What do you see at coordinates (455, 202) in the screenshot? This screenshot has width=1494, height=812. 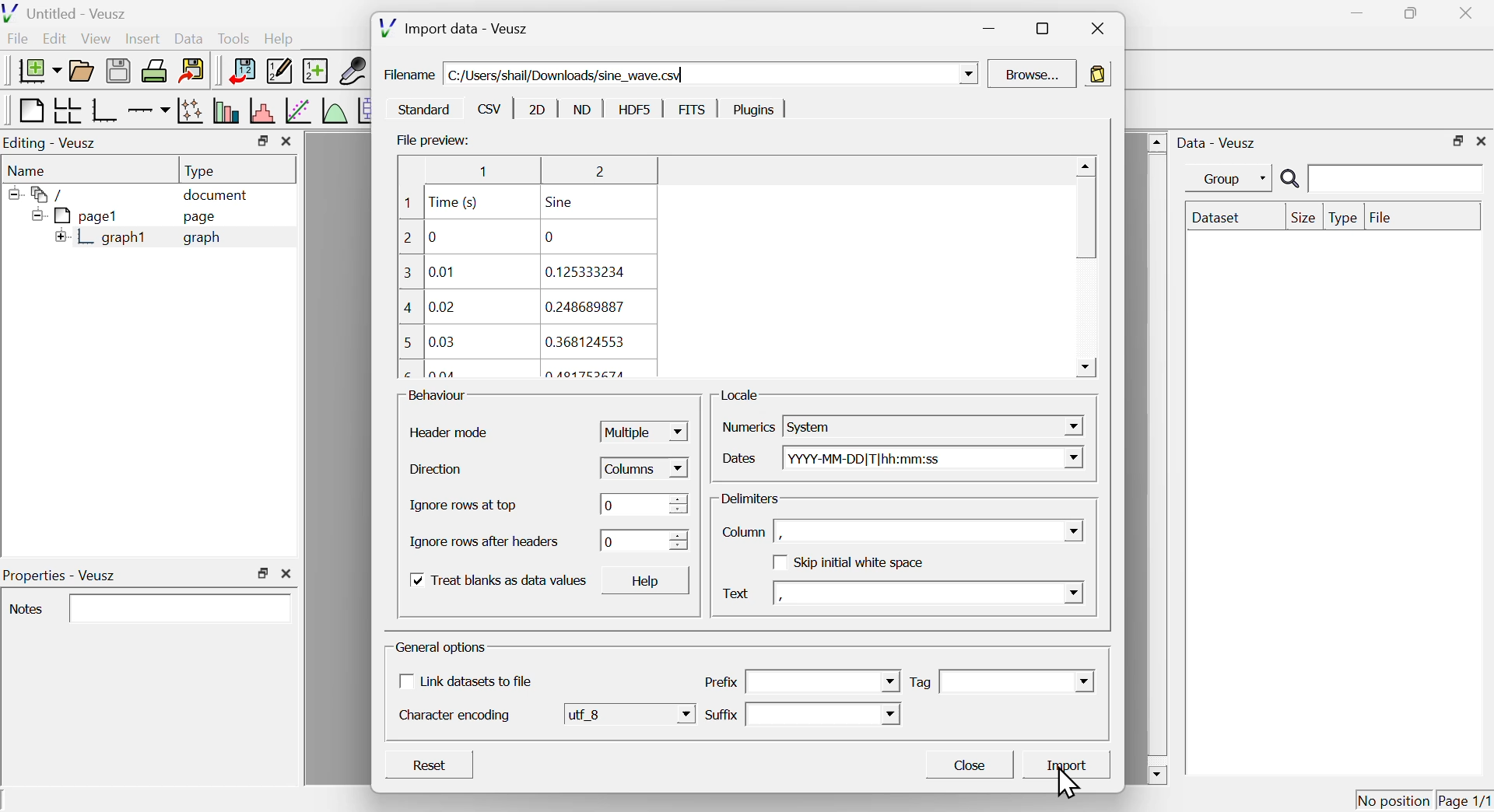 I see `Time(s)` at bounding box center [455, 202].